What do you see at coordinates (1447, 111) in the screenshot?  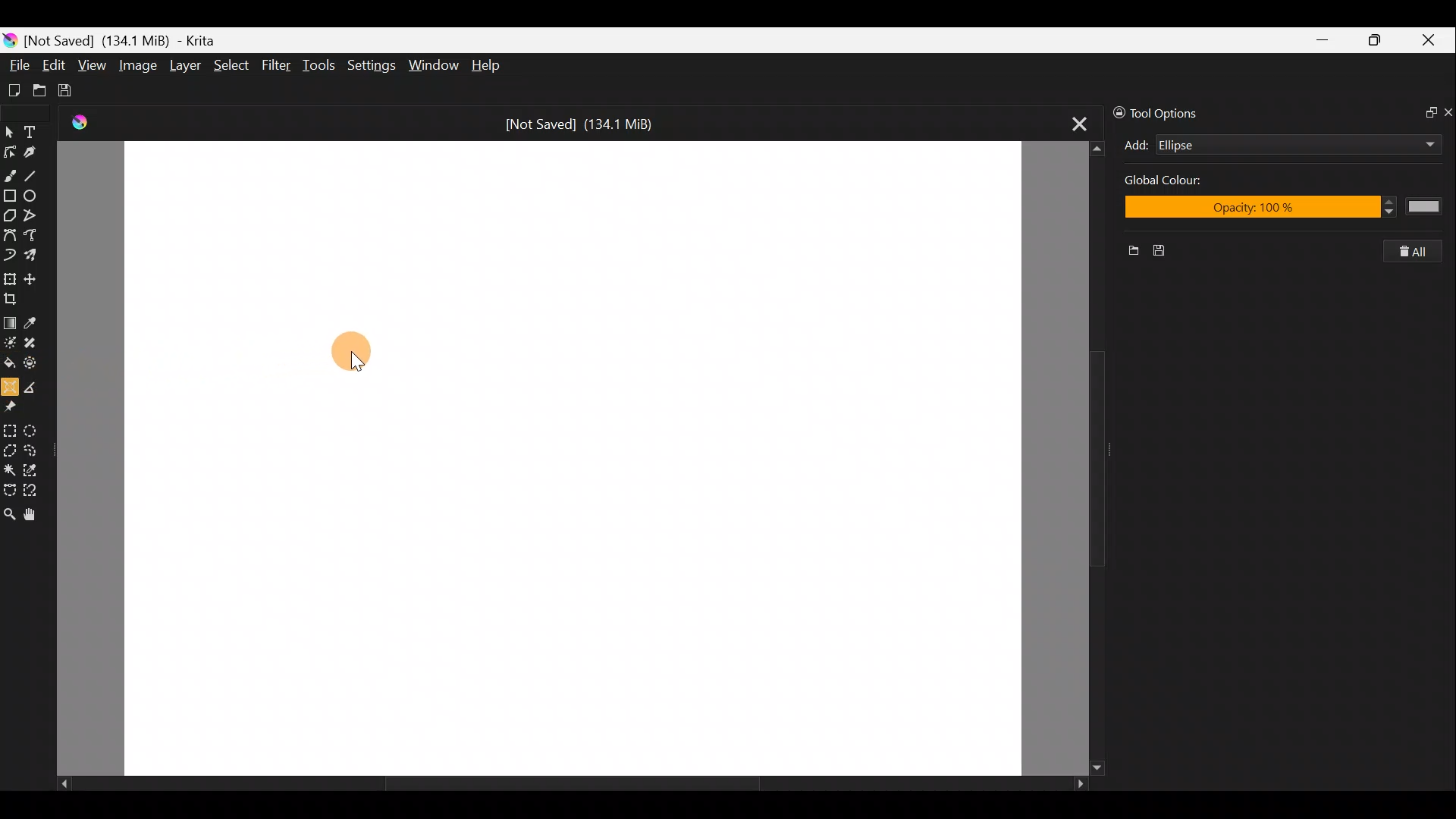 I see `Close docker` at bounding box center [1447, 111].